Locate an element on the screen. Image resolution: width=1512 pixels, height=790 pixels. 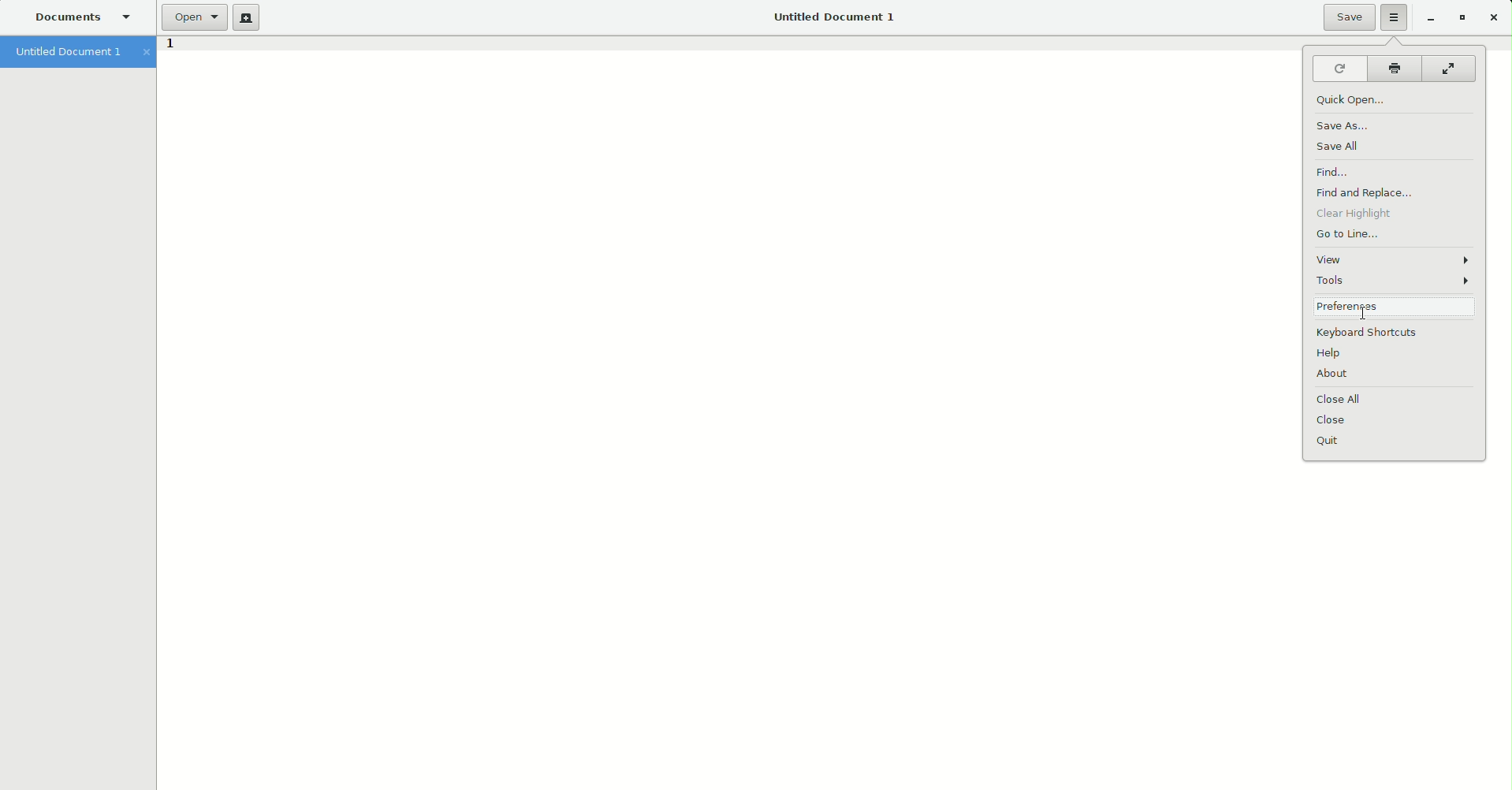
Restore is located at coordinates (1459, 18).